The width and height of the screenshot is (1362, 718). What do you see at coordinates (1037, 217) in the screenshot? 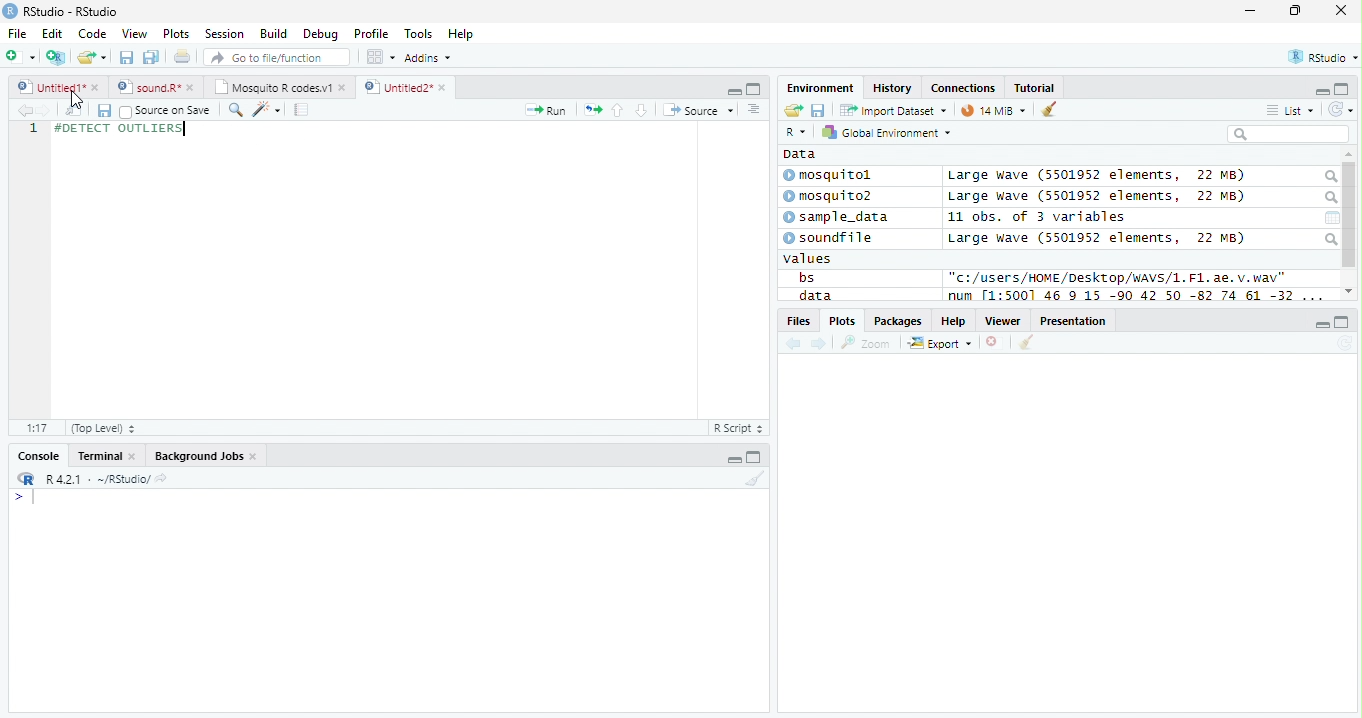
I see `11 obs. of 3 variables` at bounding box center [1037, 217].